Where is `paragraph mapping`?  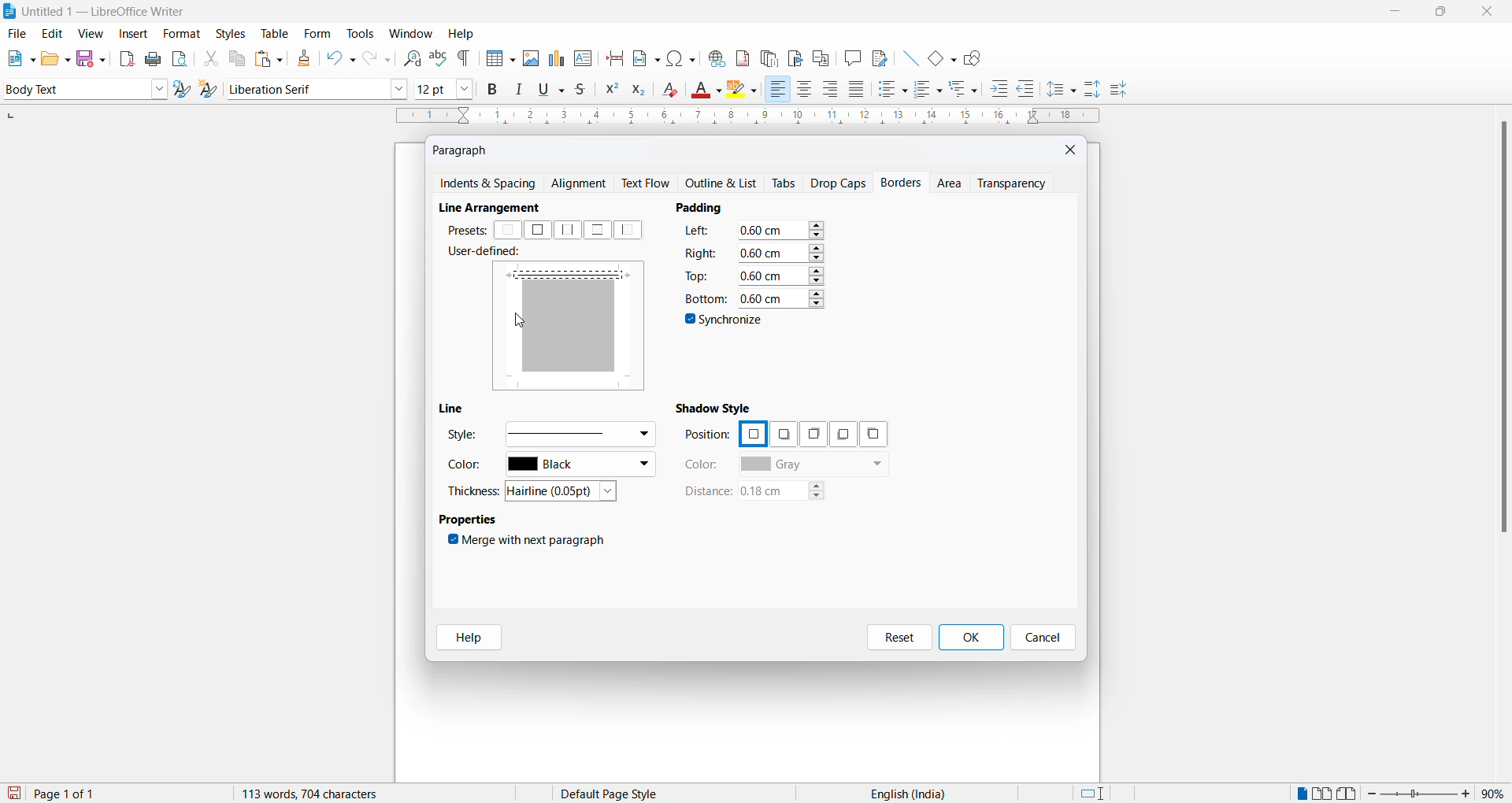 paragraph mapping is located at coordinates (573, 330).